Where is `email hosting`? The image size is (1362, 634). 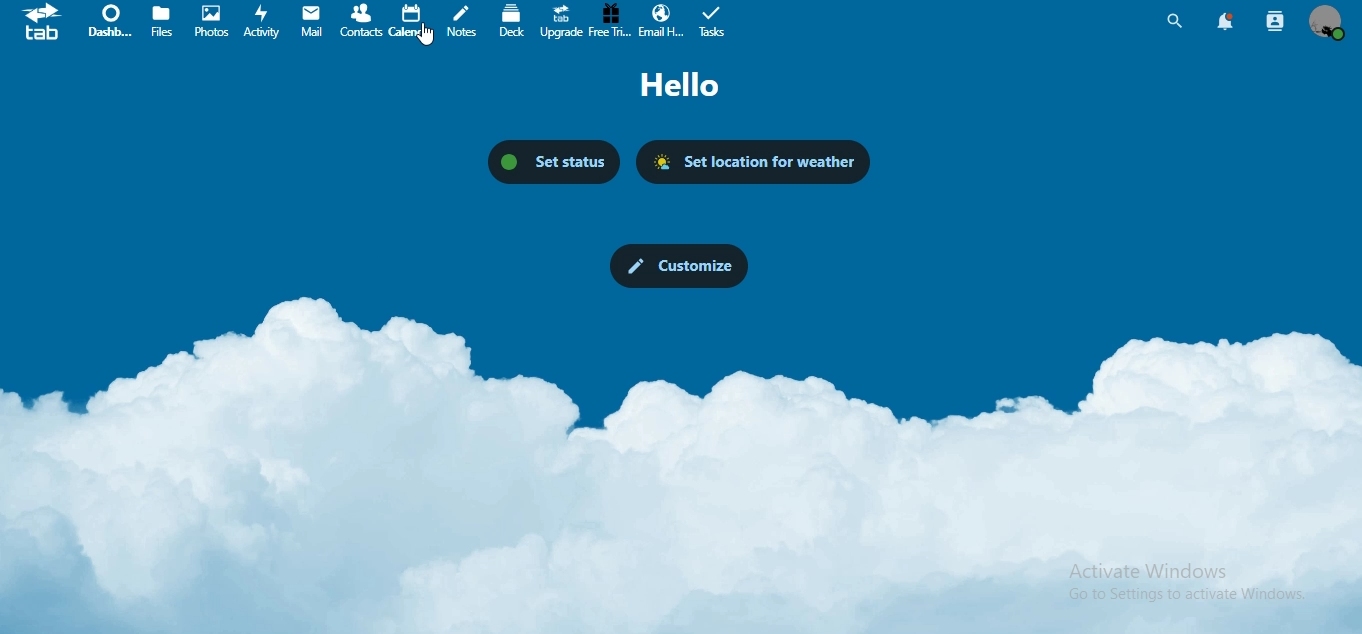 email hosting is located at coordinates (661, 21).